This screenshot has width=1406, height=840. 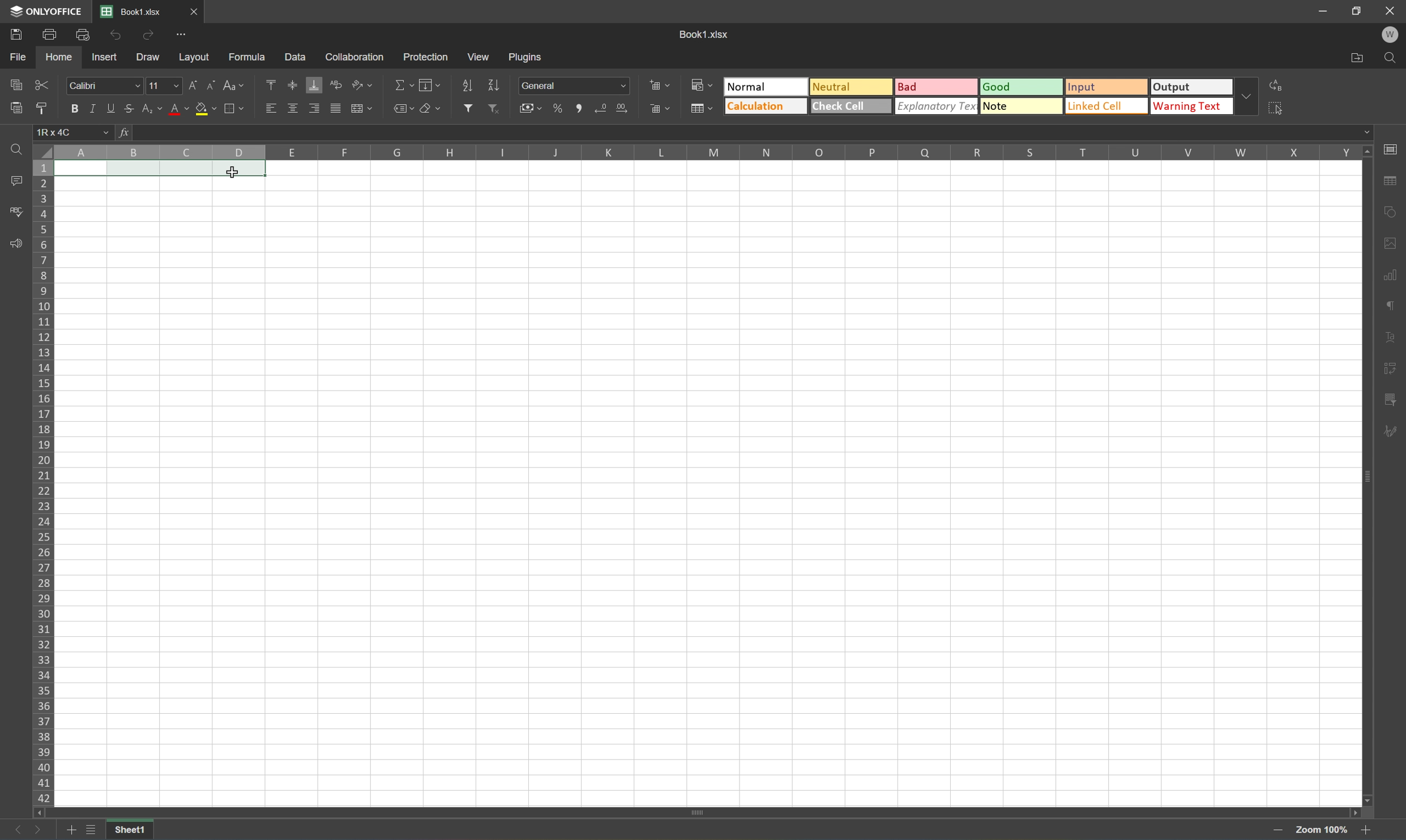 I want to click on Remove filter, so click(x=493, y=108).